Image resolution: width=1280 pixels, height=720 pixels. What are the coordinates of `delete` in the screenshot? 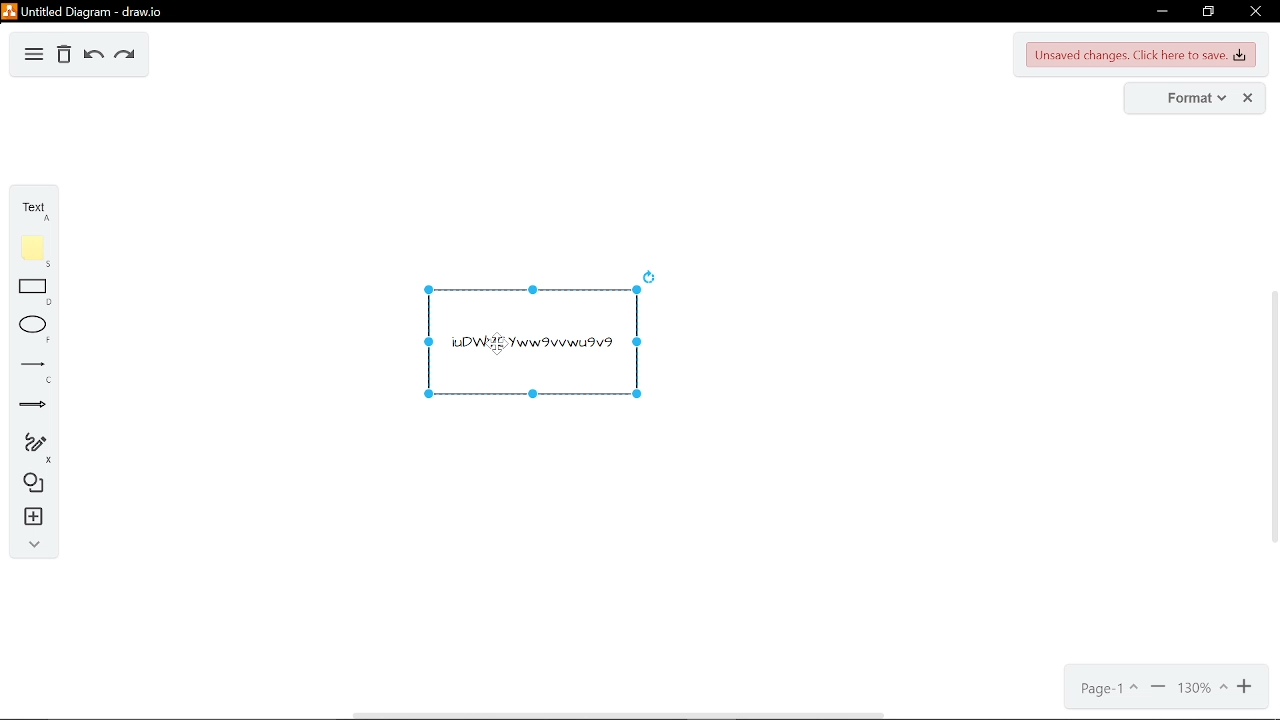 It's located at (64, 56).